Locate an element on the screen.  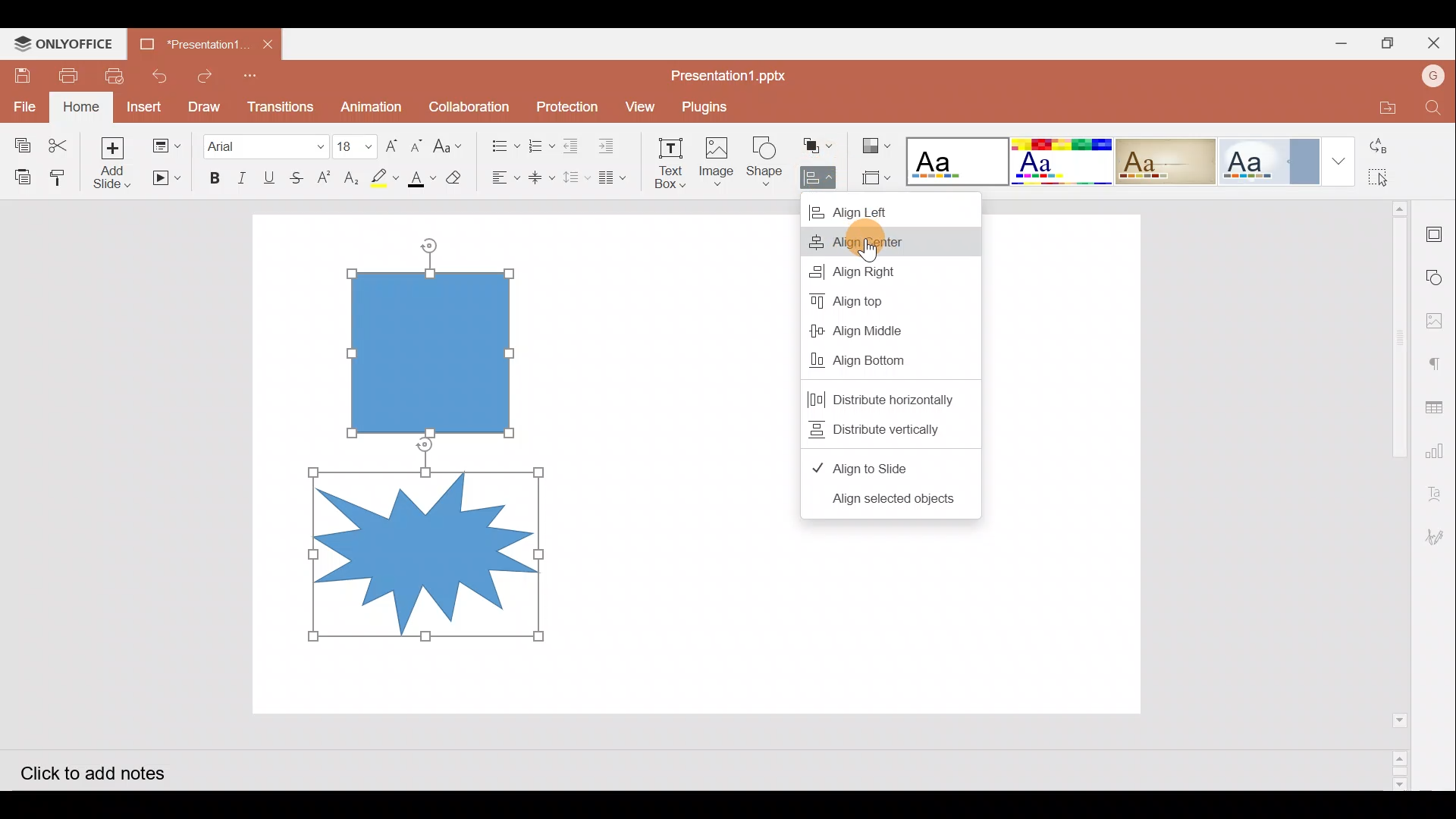
Chart settings is located at coordinates (1442, 454).